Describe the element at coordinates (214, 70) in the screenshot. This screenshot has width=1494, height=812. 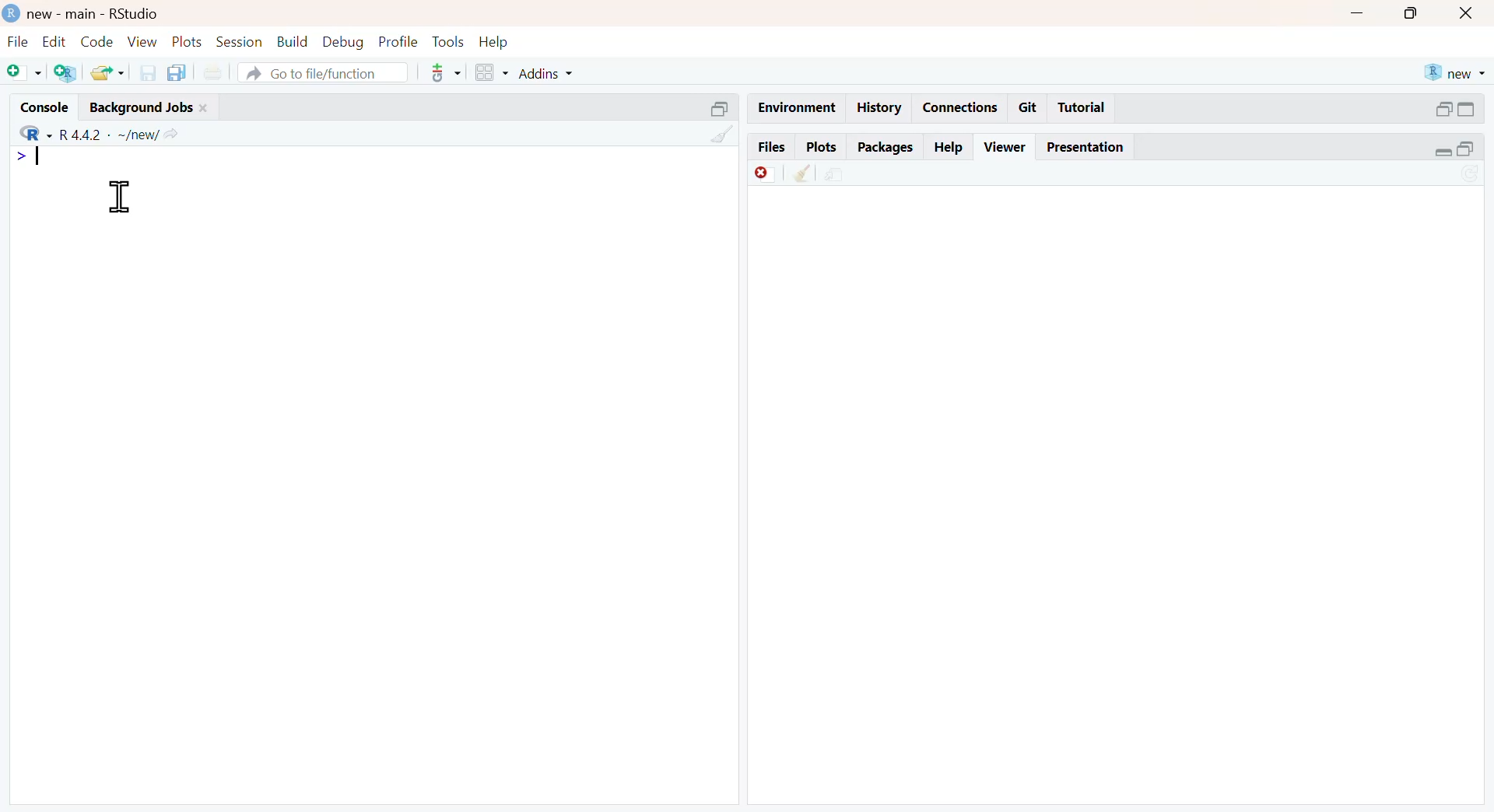
I see `print` at that location.